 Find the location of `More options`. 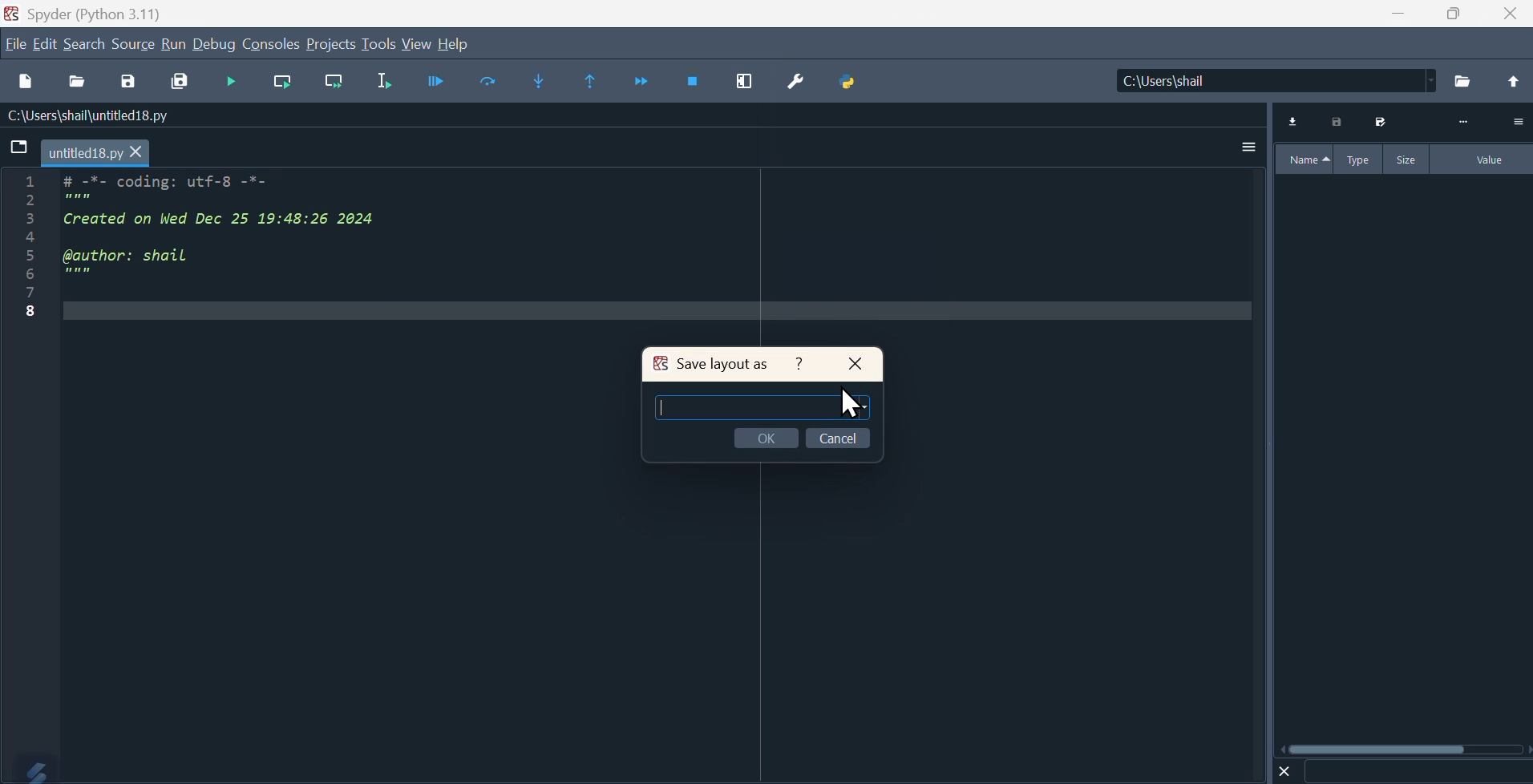

More options is located at coordinates (1249, 146).